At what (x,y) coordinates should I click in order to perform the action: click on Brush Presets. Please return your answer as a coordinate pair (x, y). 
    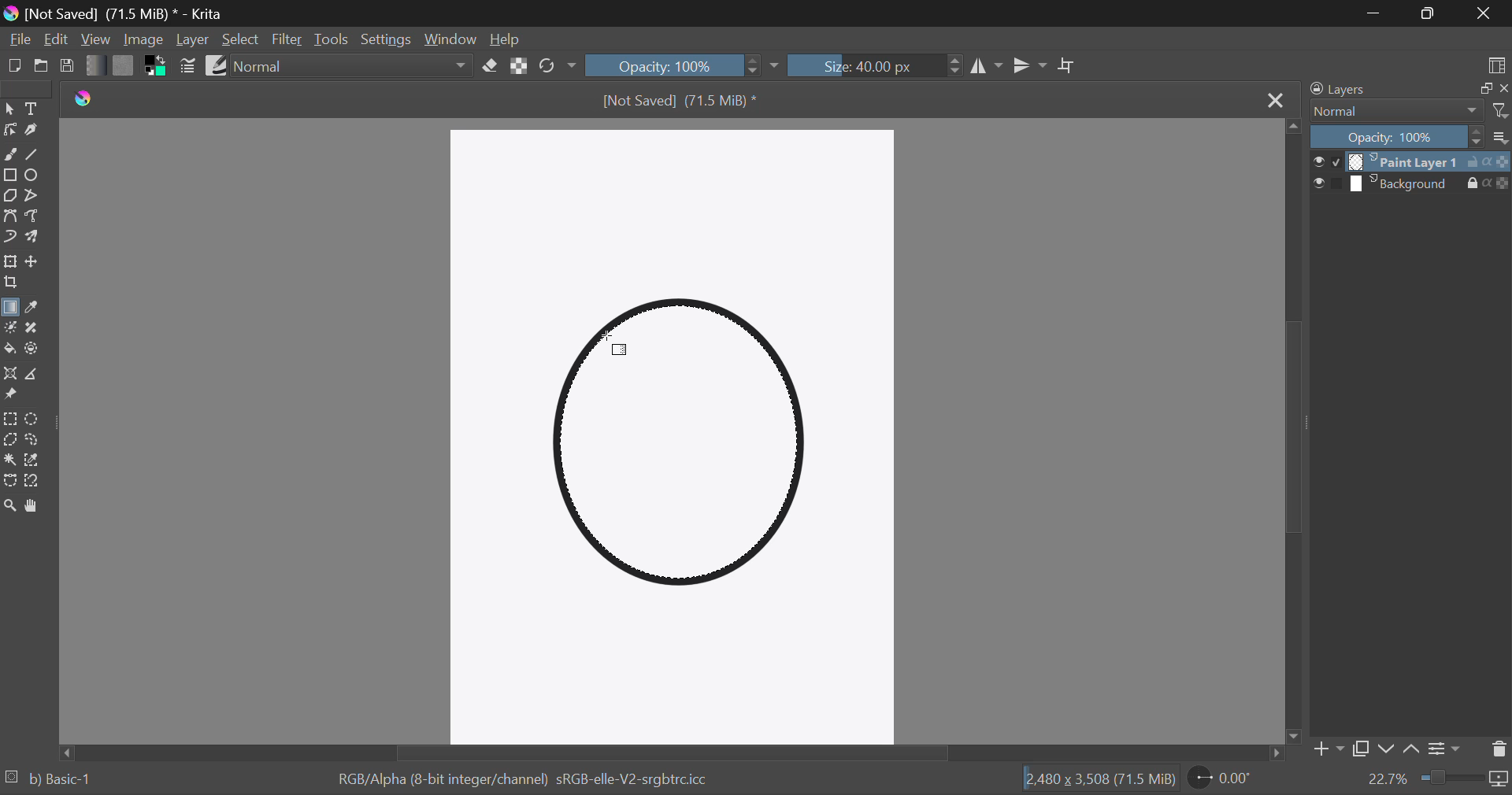
    Looking at the image, I should click on (219, 67).